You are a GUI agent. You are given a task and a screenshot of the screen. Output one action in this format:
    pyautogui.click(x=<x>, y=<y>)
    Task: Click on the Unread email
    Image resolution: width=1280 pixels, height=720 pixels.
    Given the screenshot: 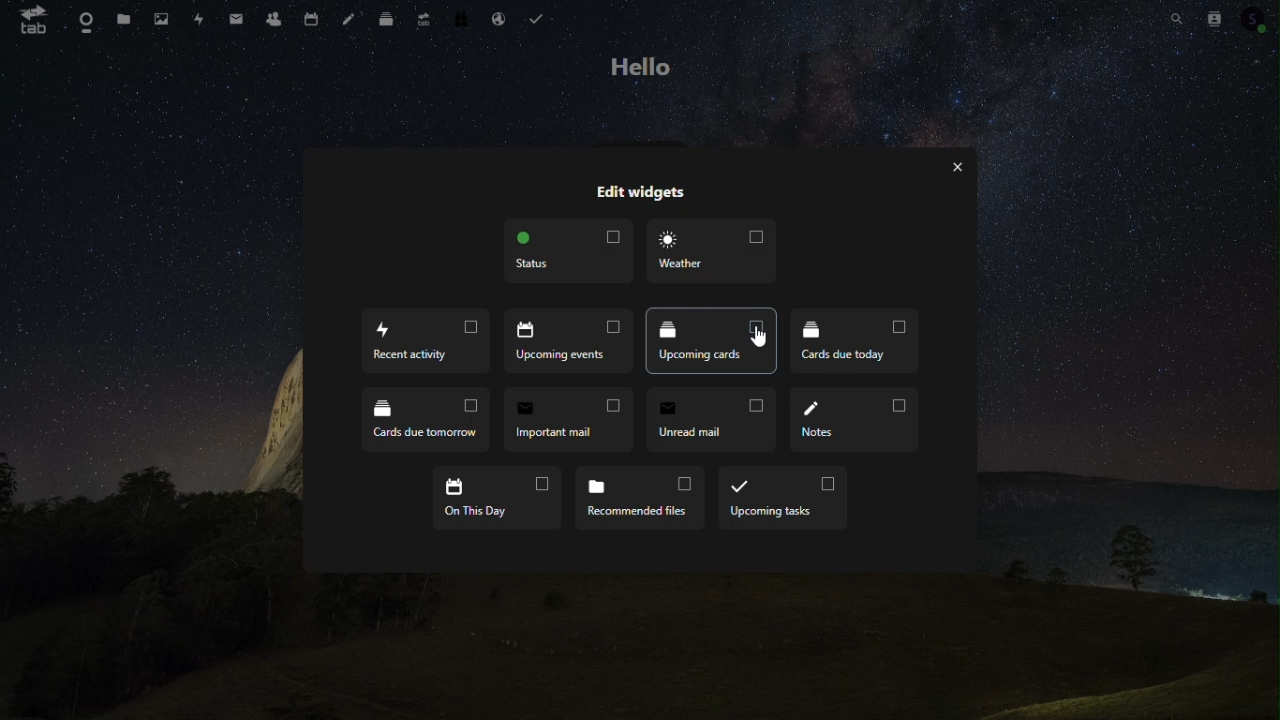 What is the action you would take?
    pyautogui.click(x=711, y=419)
    